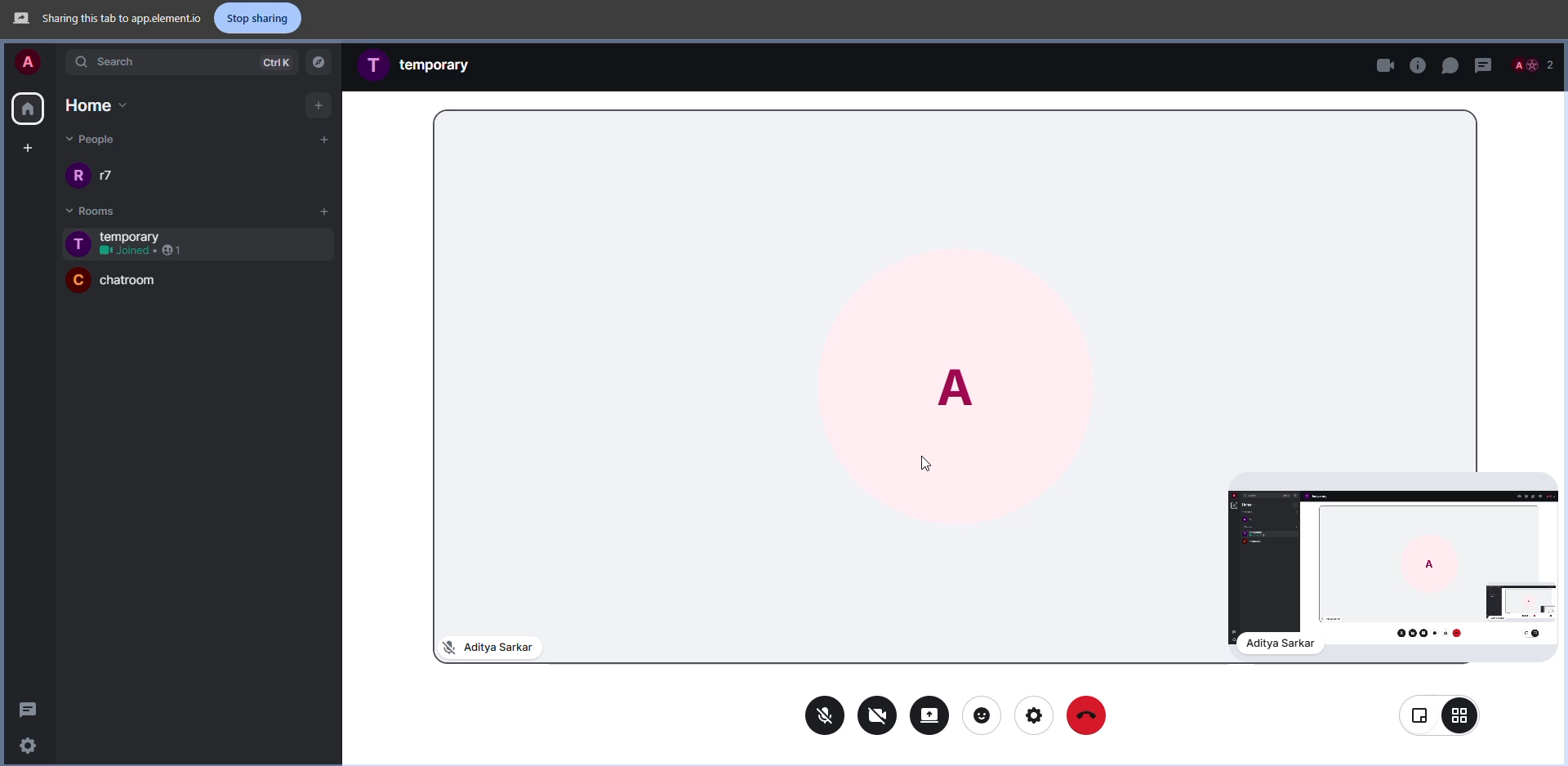  Describe the element at coordinates (75, 173) in the screenshot. I see `profile` at that location.